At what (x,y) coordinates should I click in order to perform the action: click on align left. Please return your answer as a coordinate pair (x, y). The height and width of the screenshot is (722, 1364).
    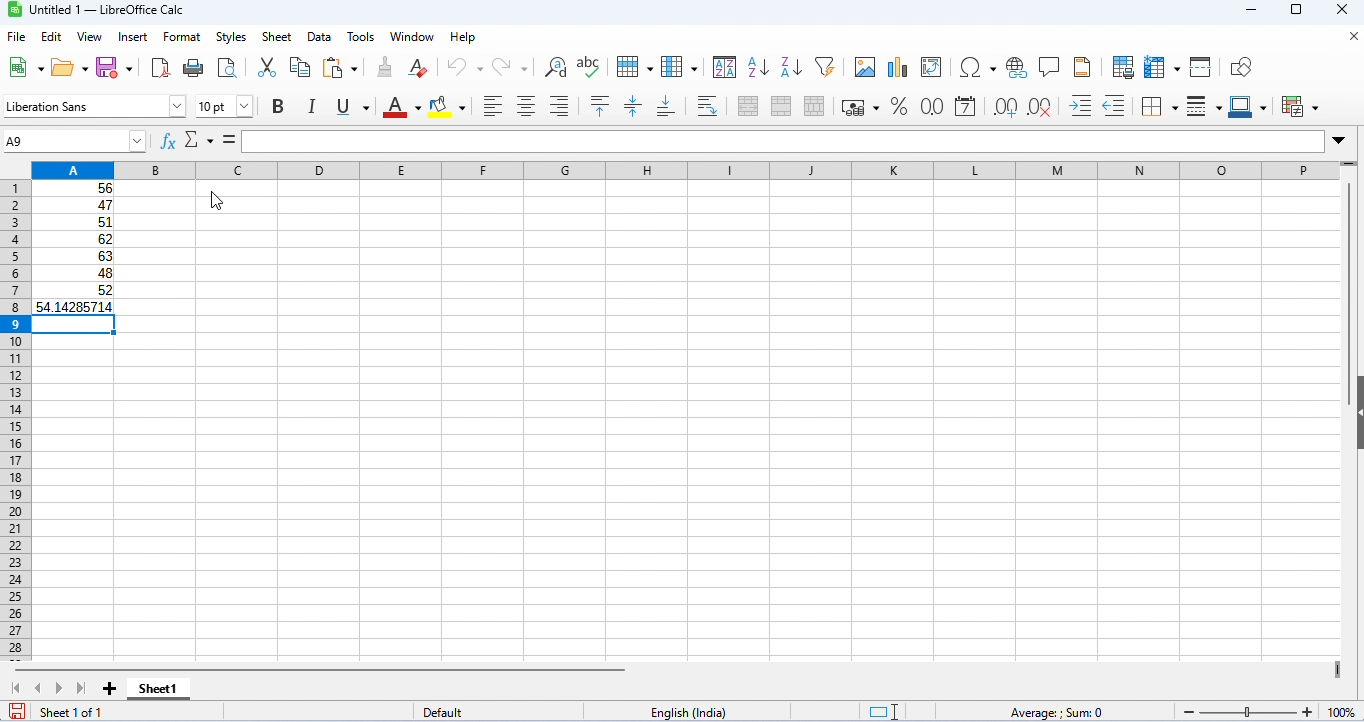
    Looking at the image, I should click on (493, 106).